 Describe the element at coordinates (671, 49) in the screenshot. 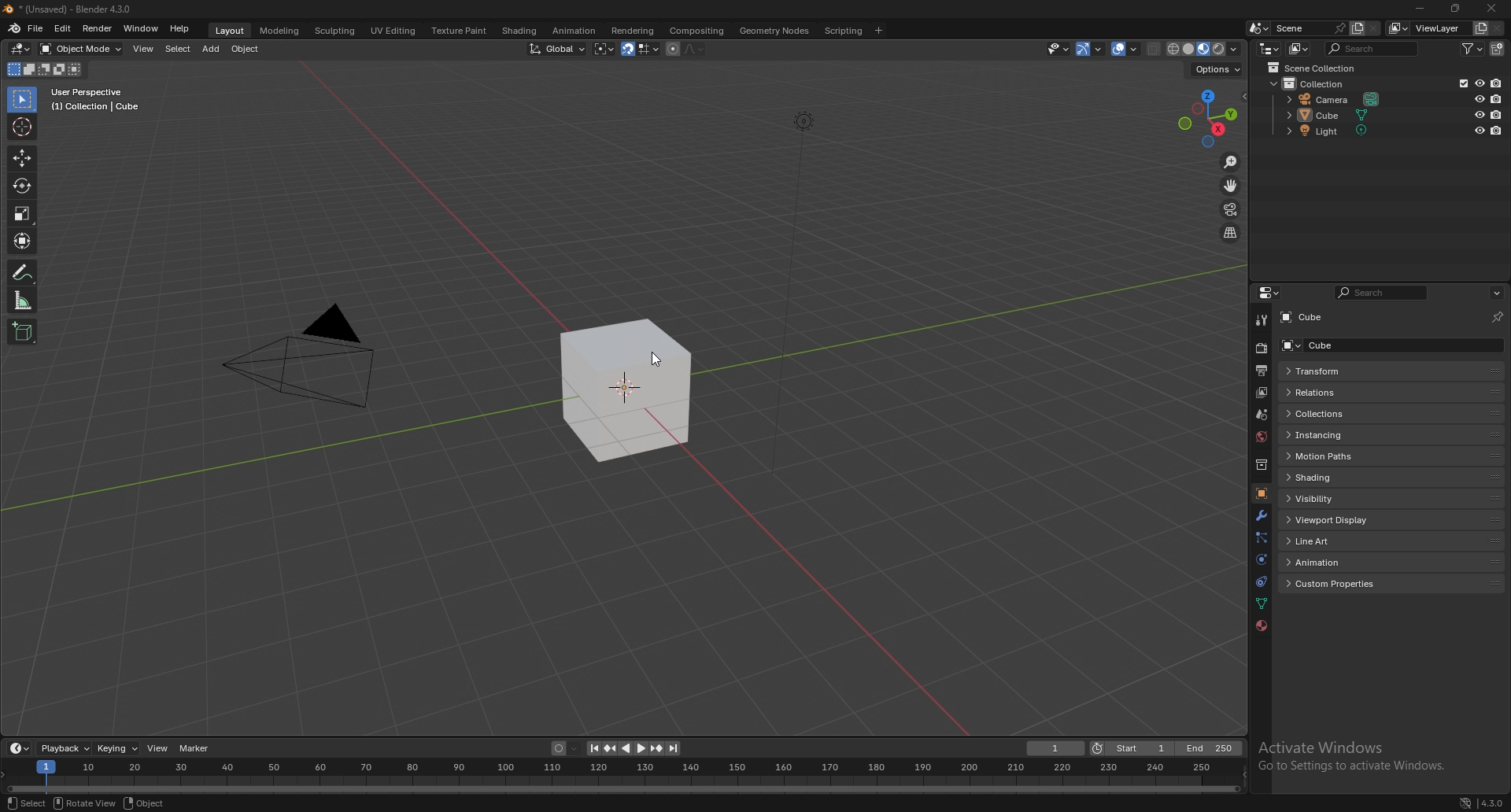

I see `proportional editing objects` at that location.